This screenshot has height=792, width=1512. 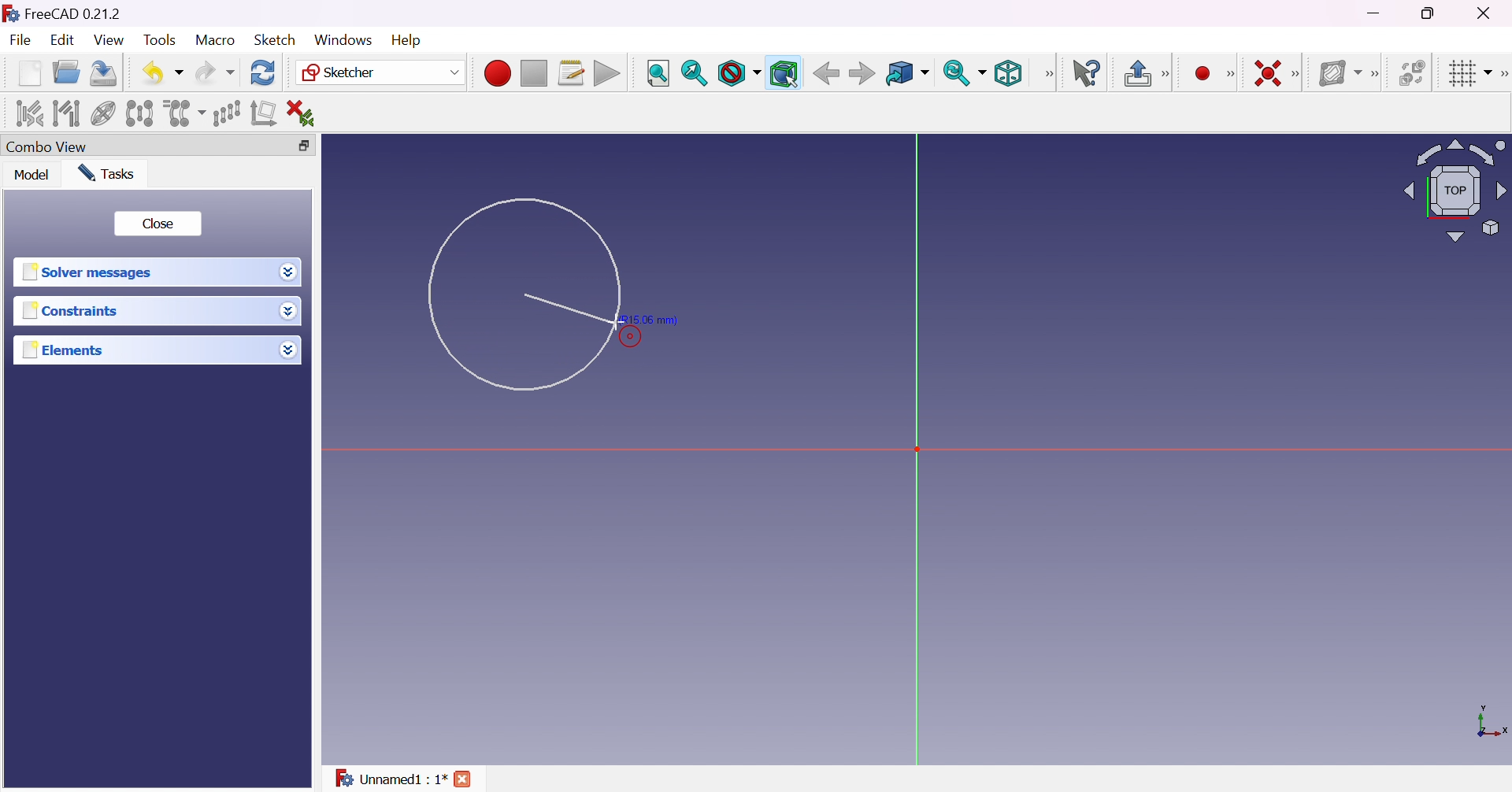 What do you see at coordinates (655, 320) in the screenshot?
I see `(R15.06 mm)` at bounding box center [655, 320].